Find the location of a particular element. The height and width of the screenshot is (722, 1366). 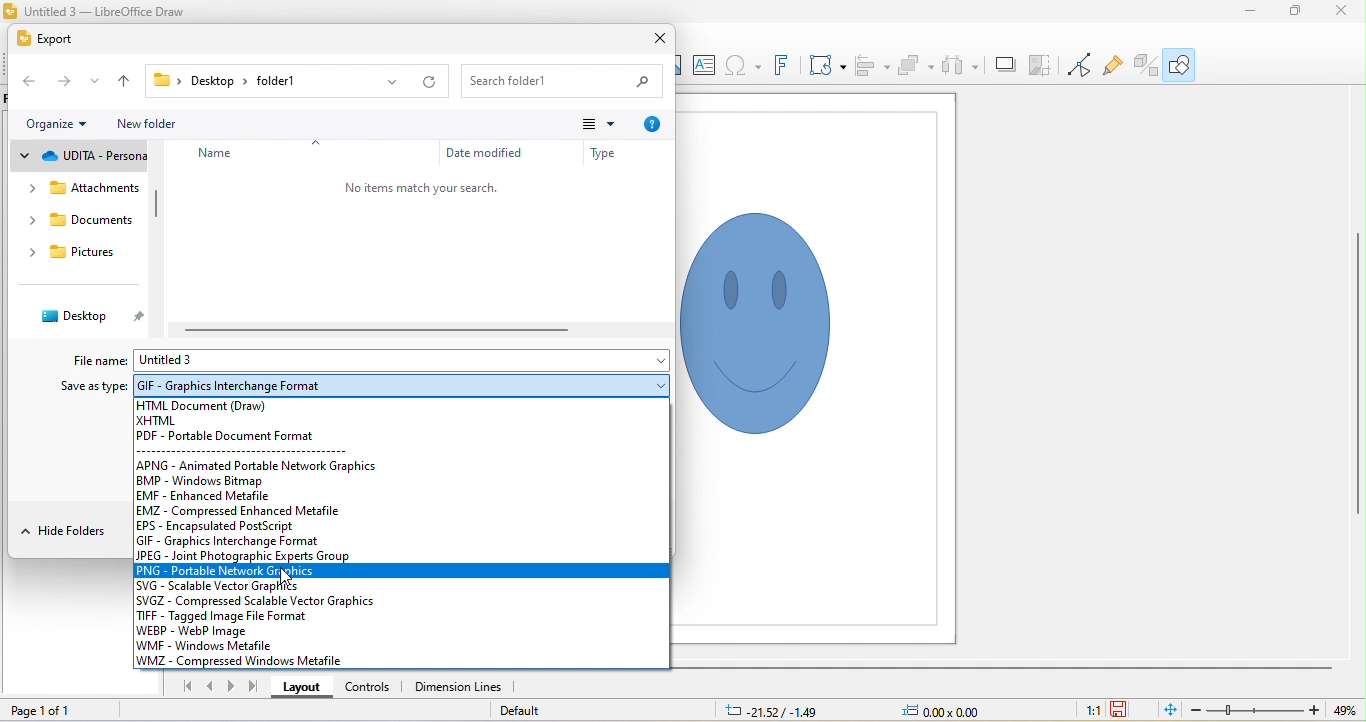

next is located at coordinates (231, 687).